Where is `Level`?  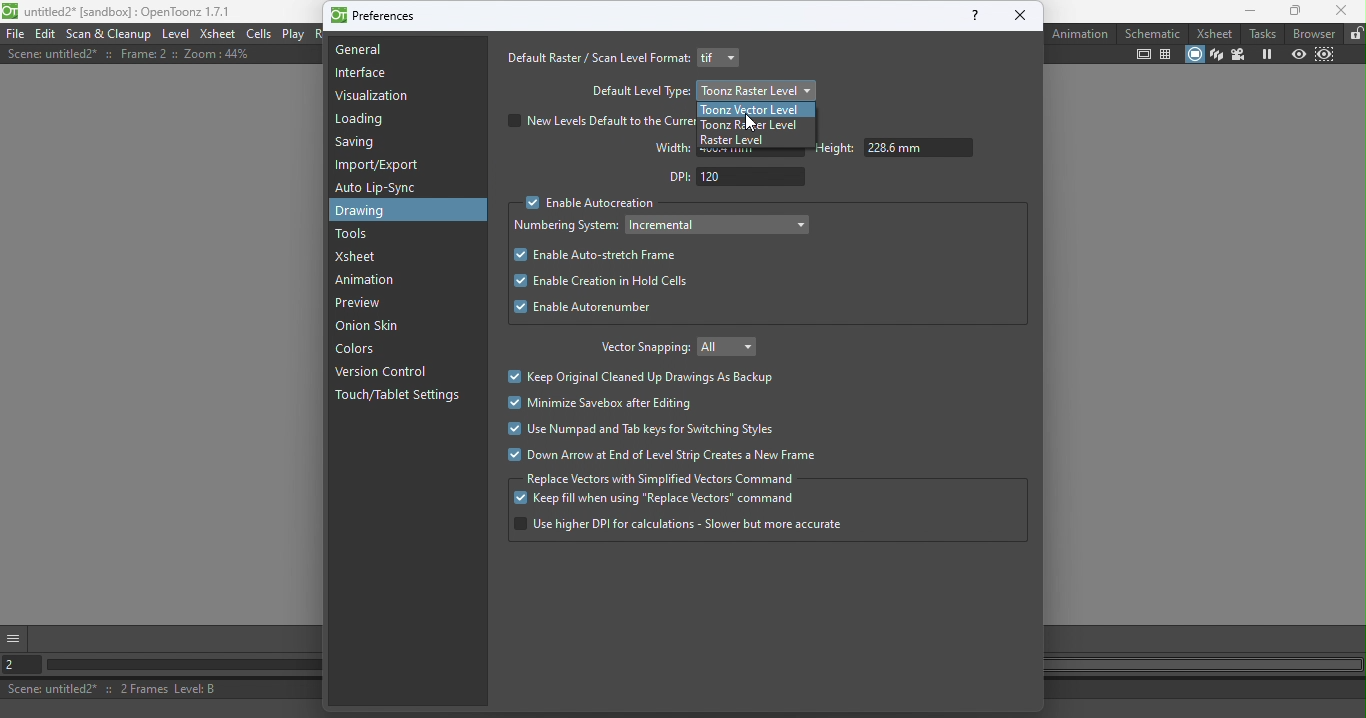
Level is located at coordinates (175, 33).